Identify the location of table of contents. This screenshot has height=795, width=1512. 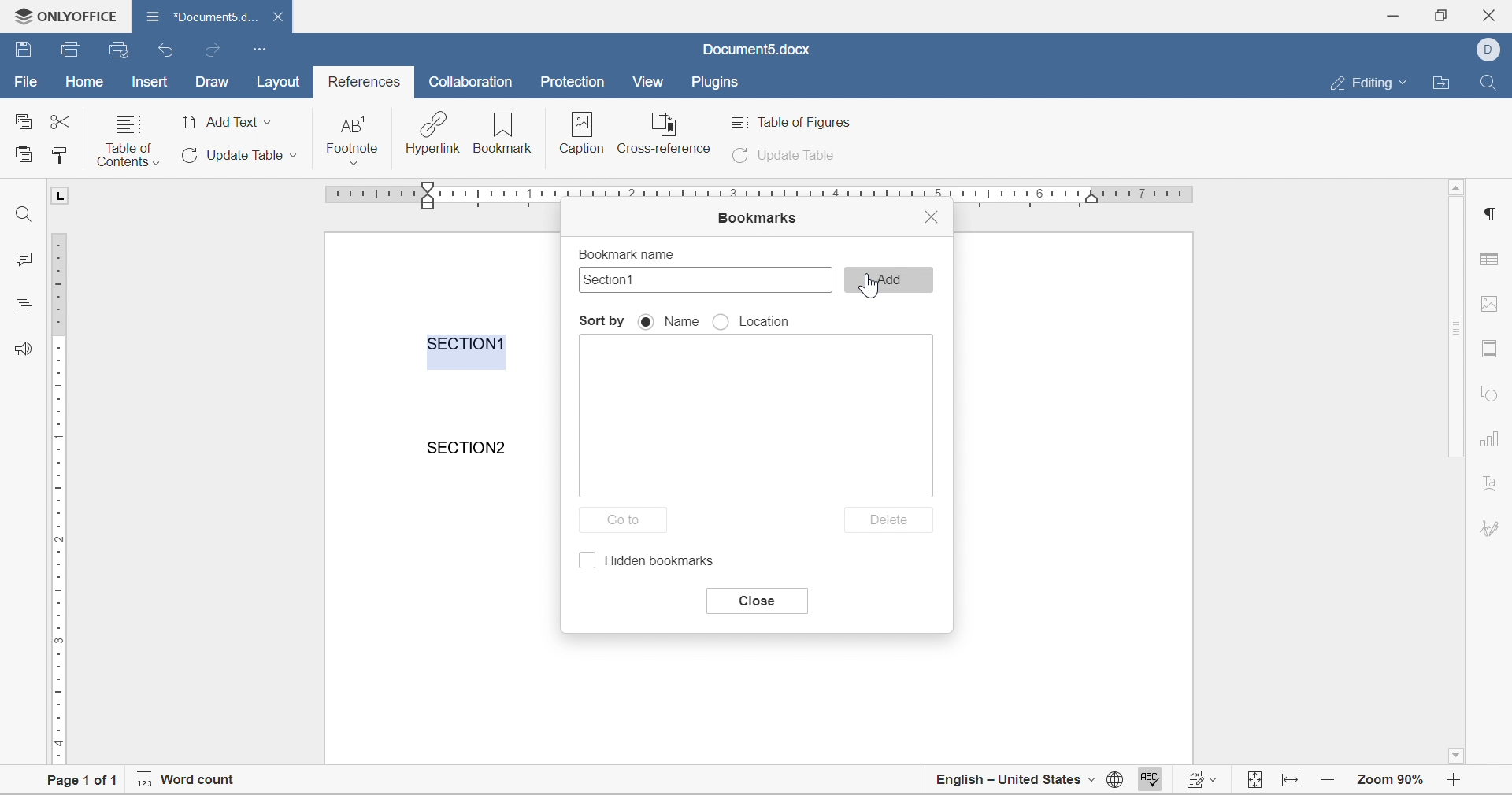
(128, 140).